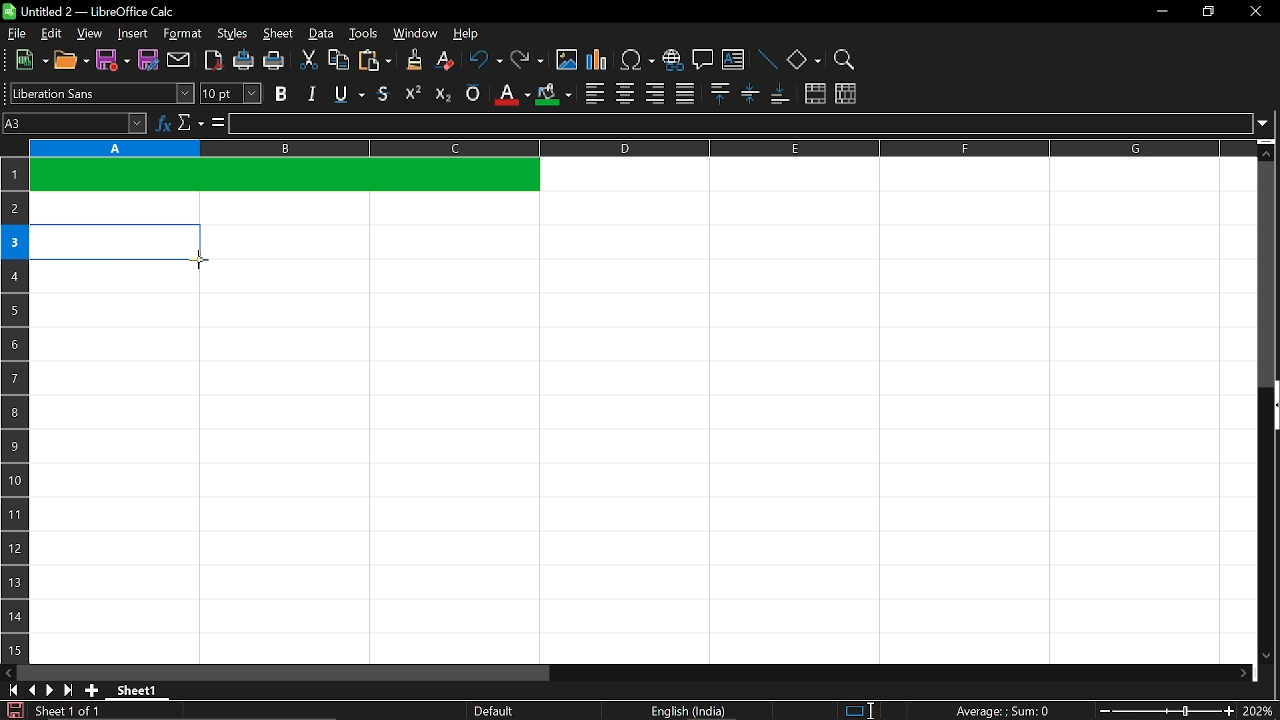  Describe the element at coordinates (103, 94) in the screenshot. I see `text style` at that location.